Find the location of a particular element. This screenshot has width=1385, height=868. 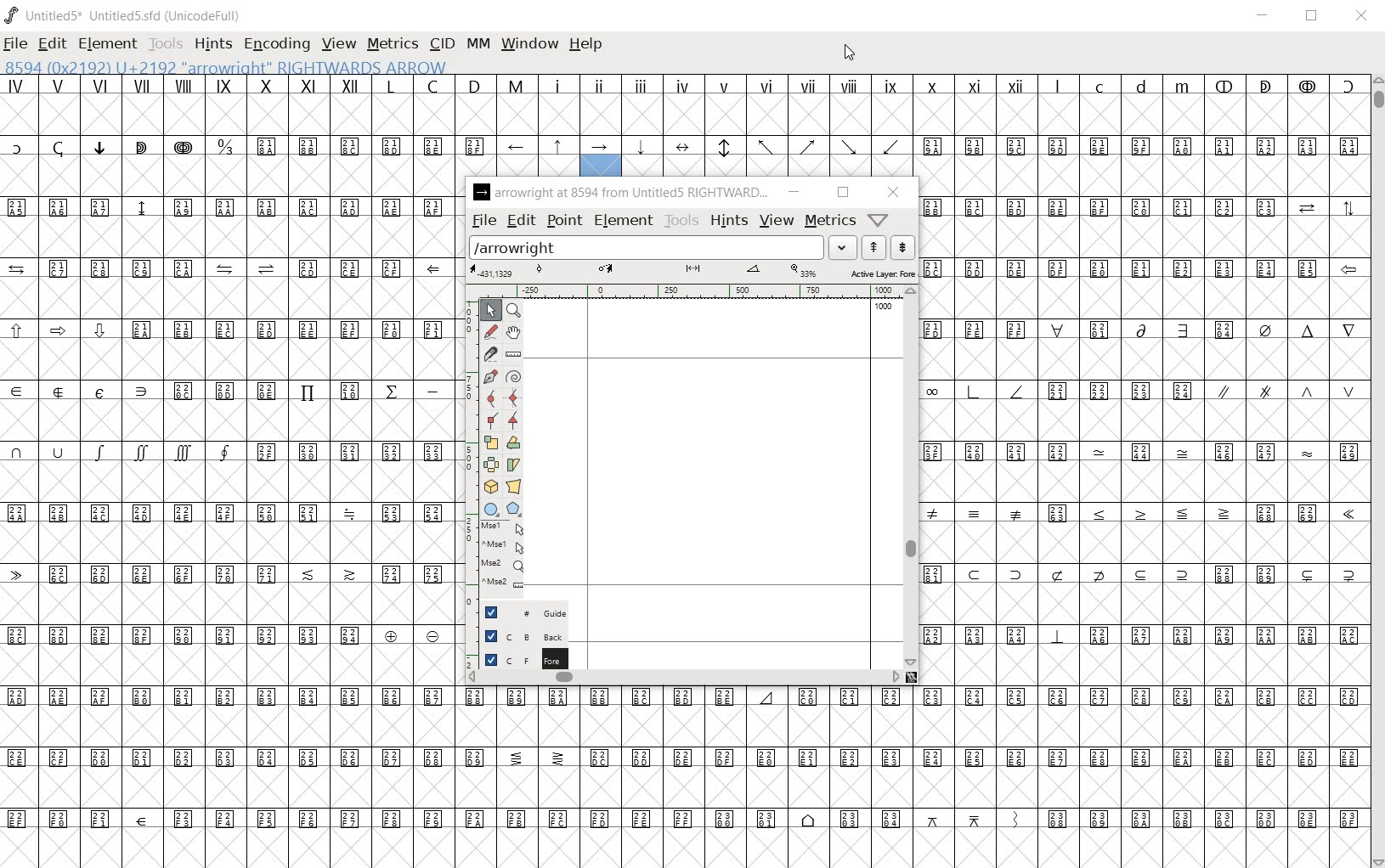

glyph characters is located at coordinates (911, 807).